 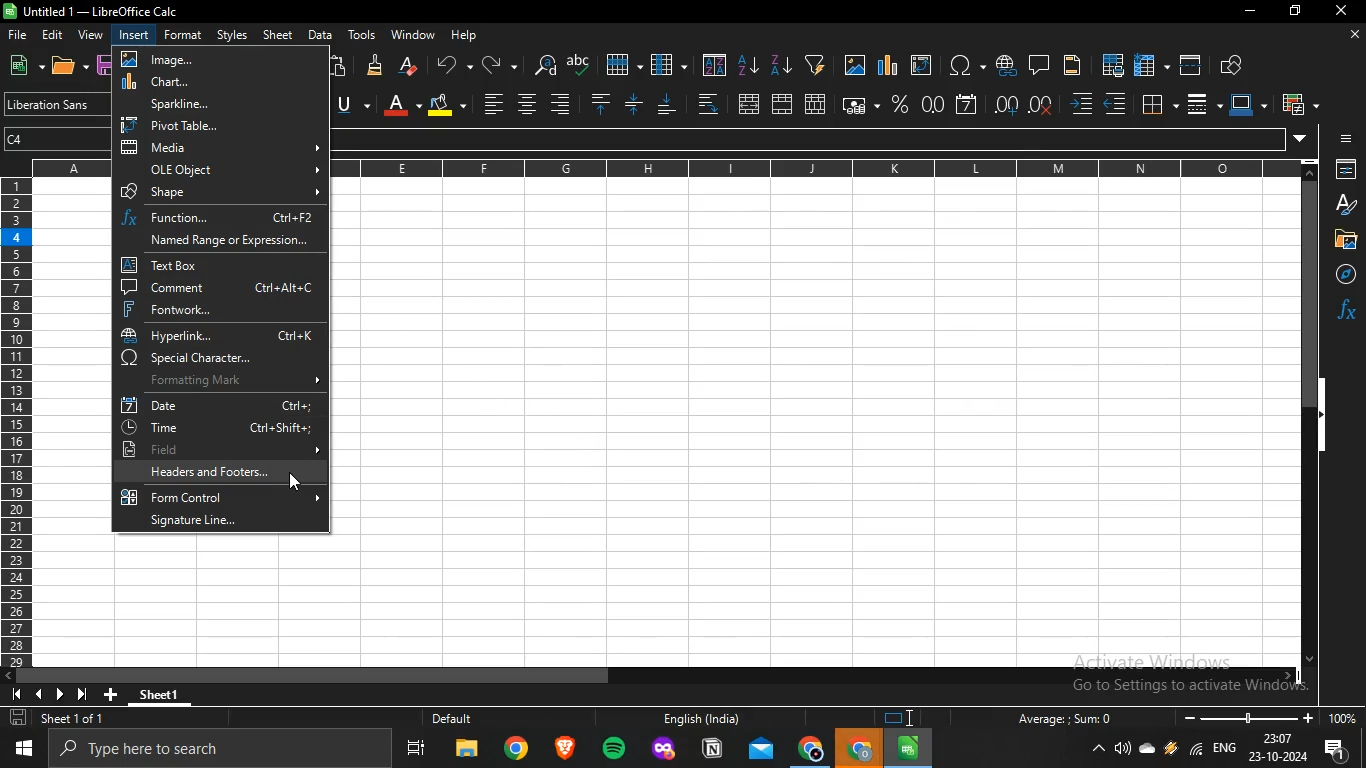 I want to click on format, so click(x=184, y=34).